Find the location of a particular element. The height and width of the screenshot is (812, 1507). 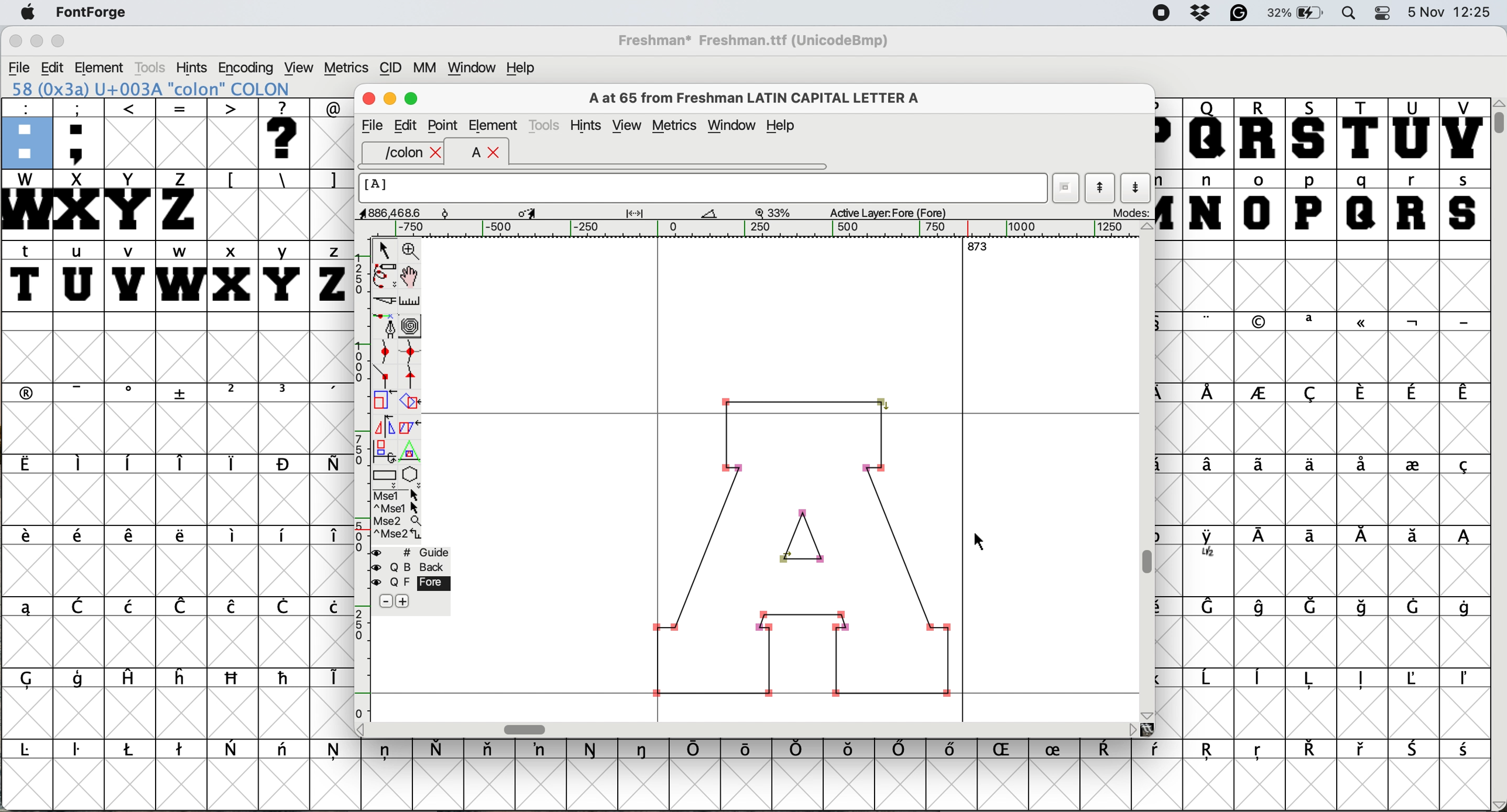

w is located at coordinates (178, 274).